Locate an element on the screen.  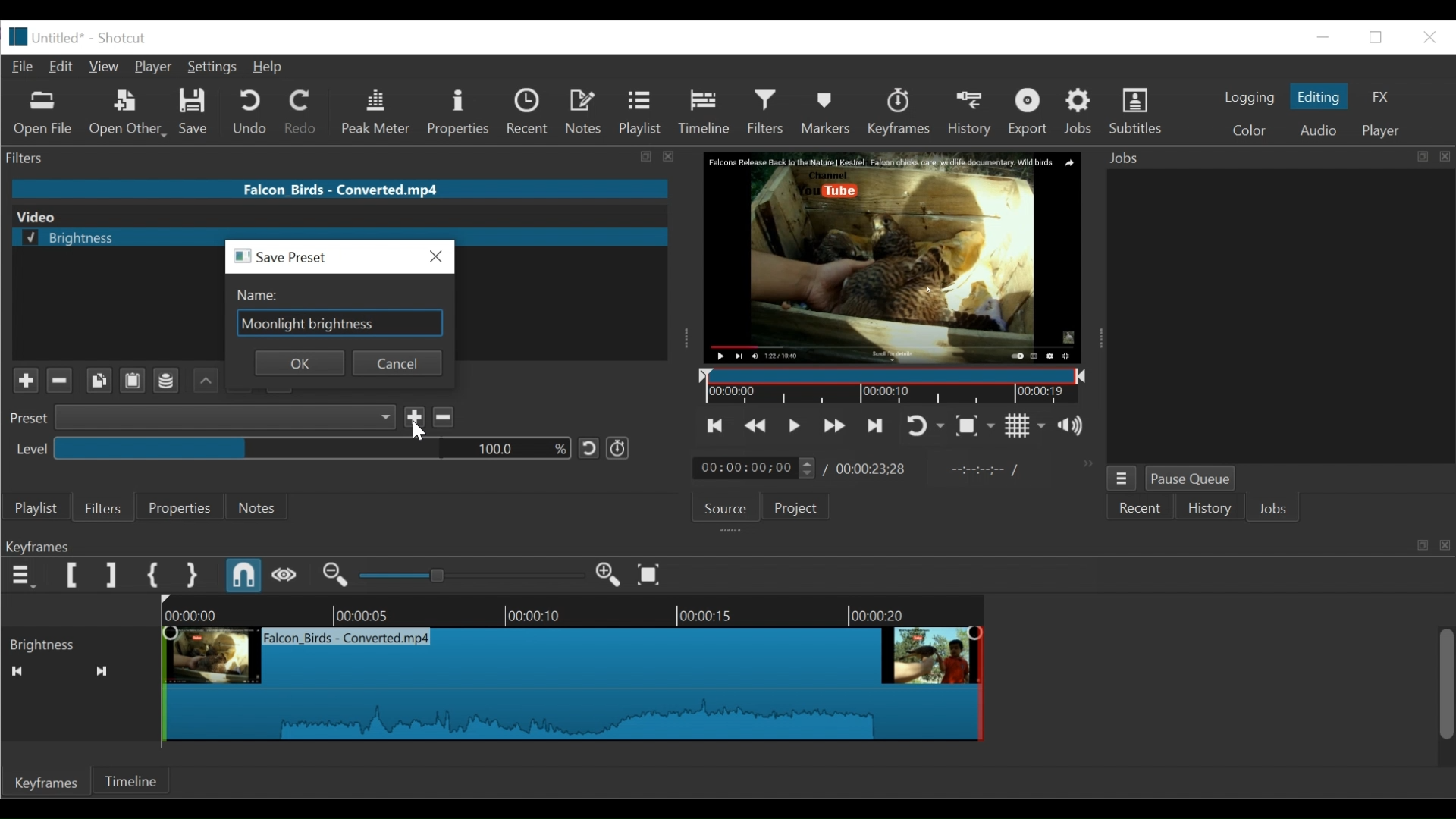
Undo is located at coordinates (253, 113).